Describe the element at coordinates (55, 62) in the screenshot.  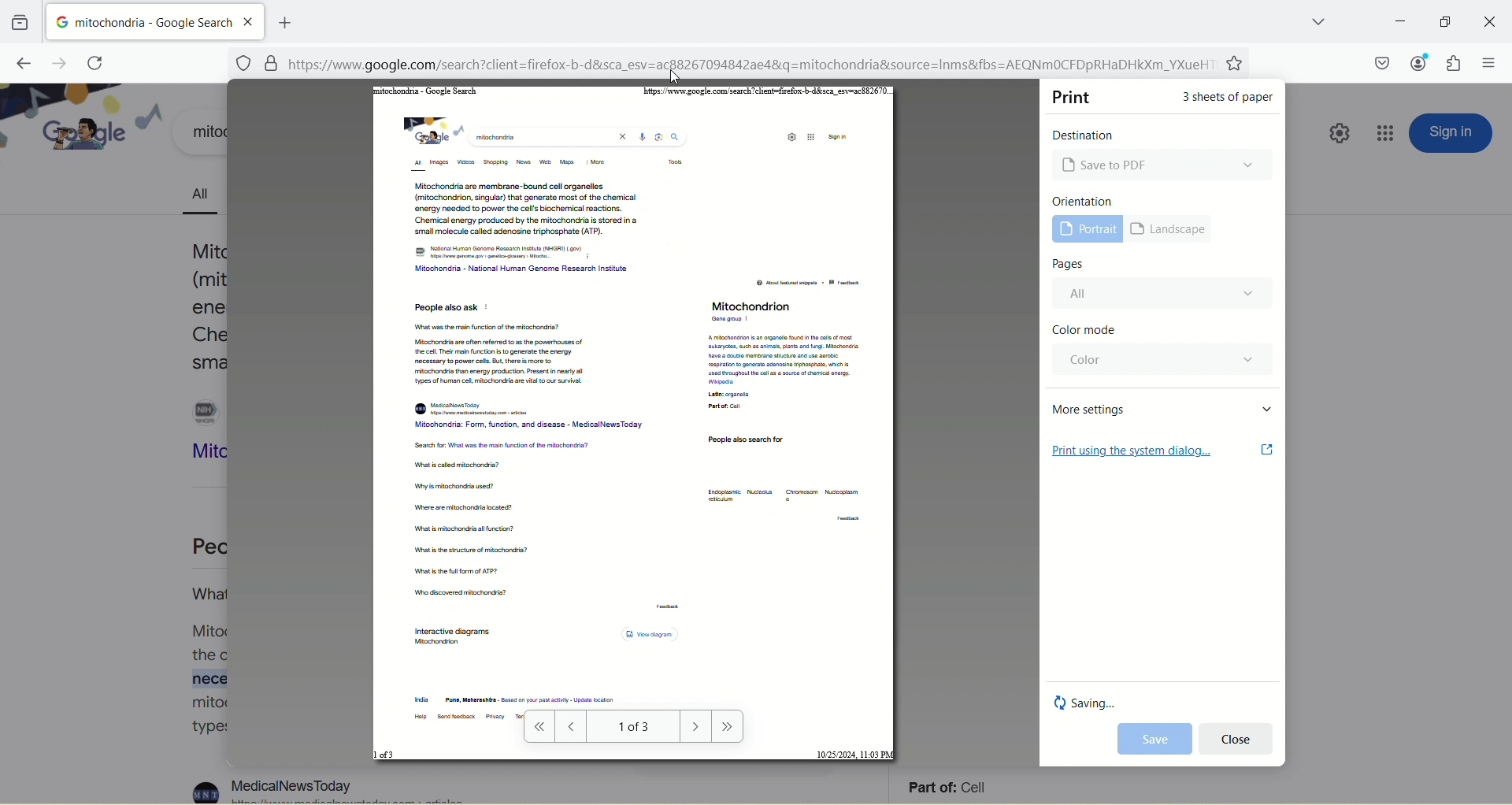
I see `go forward one page` at that location.